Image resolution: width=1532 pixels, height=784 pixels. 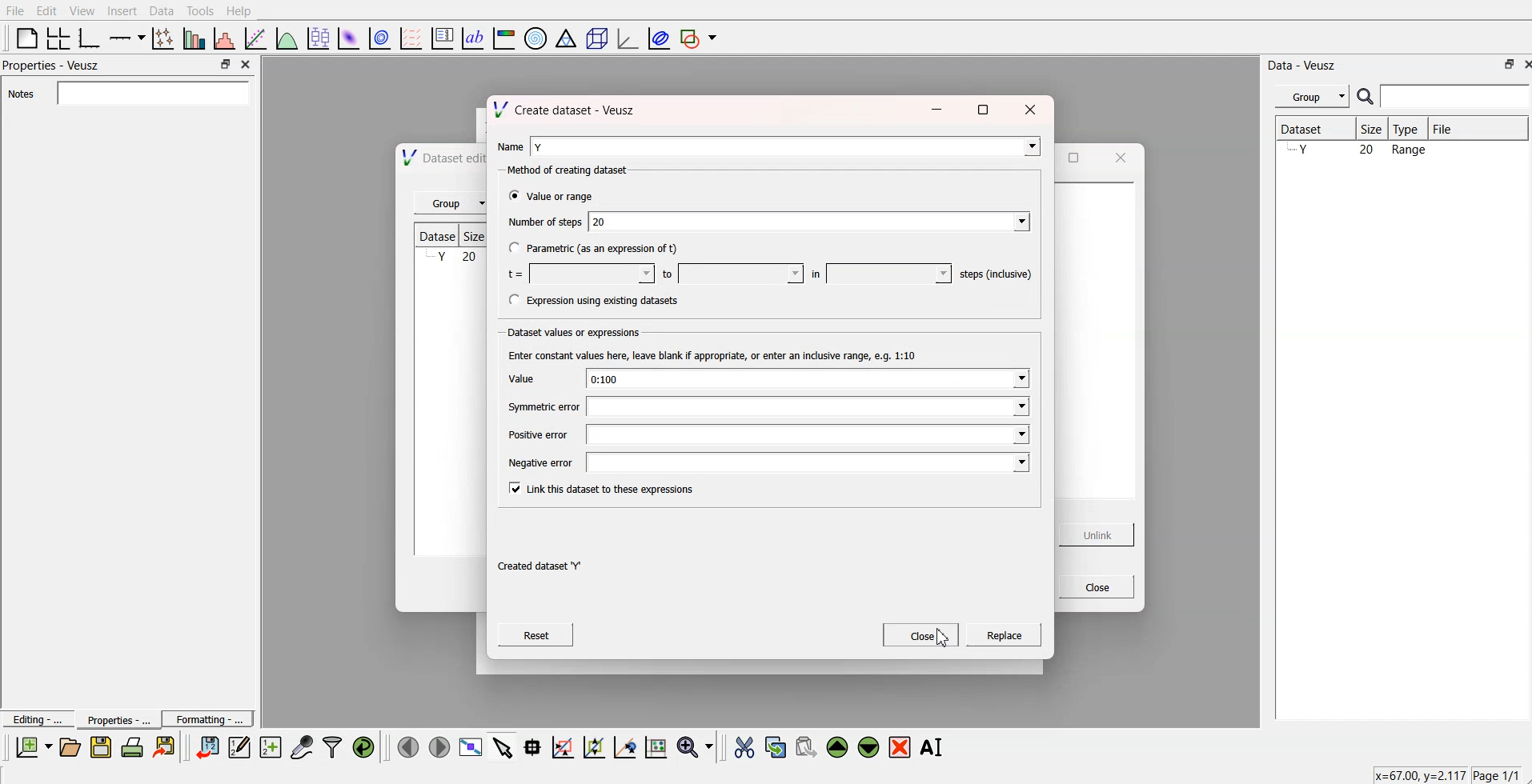 I want to click on Zoom function menu, so click(x=696, y=746).